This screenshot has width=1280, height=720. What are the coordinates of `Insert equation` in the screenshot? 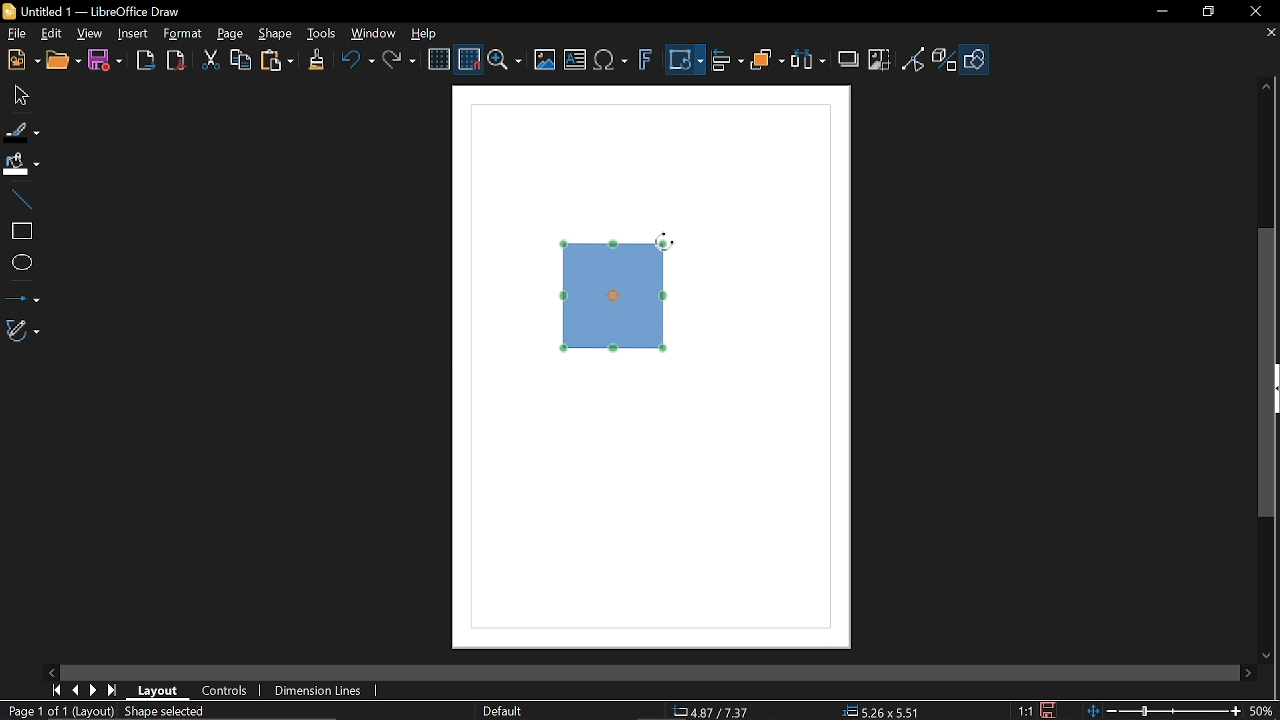 It's located at (611, 61).